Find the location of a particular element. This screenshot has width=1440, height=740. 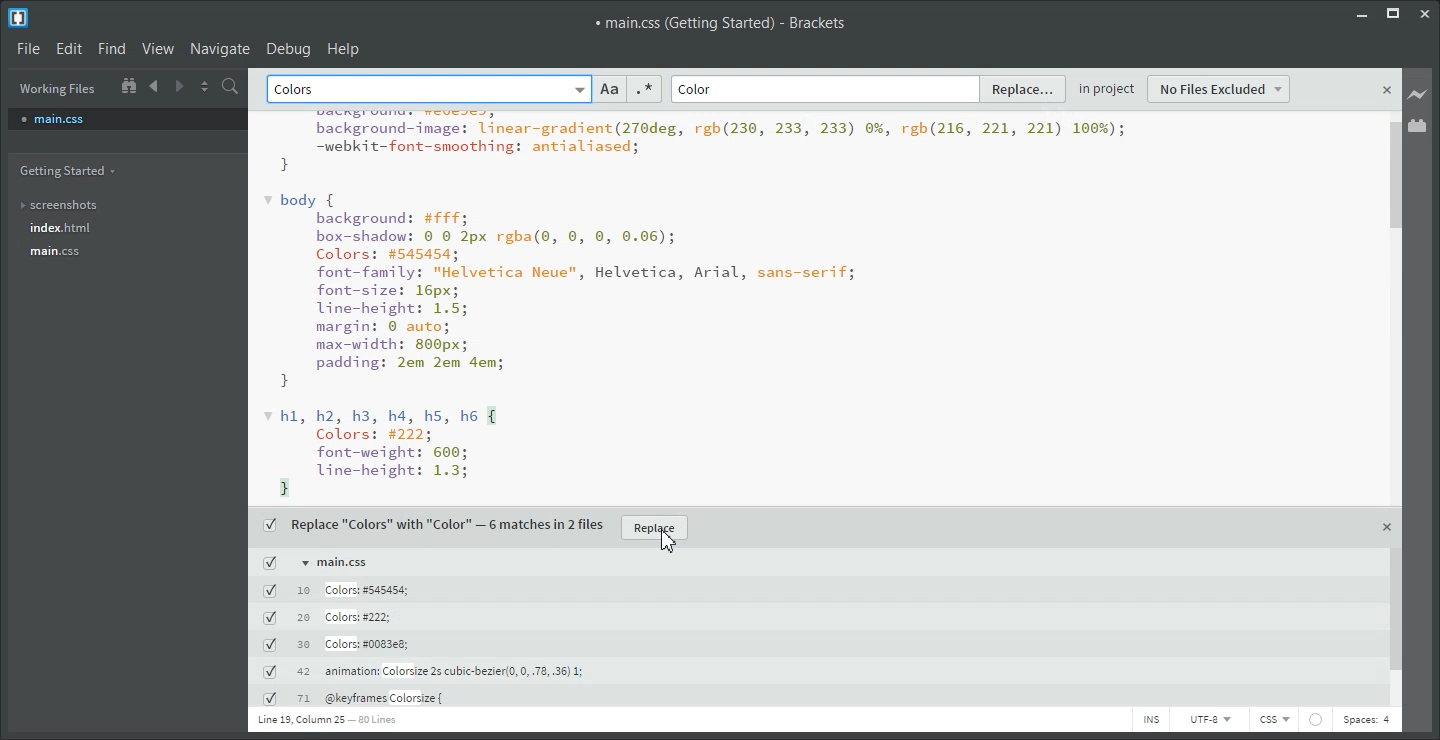

Vertical Scroll bar is located at coordinates (1394, 410).